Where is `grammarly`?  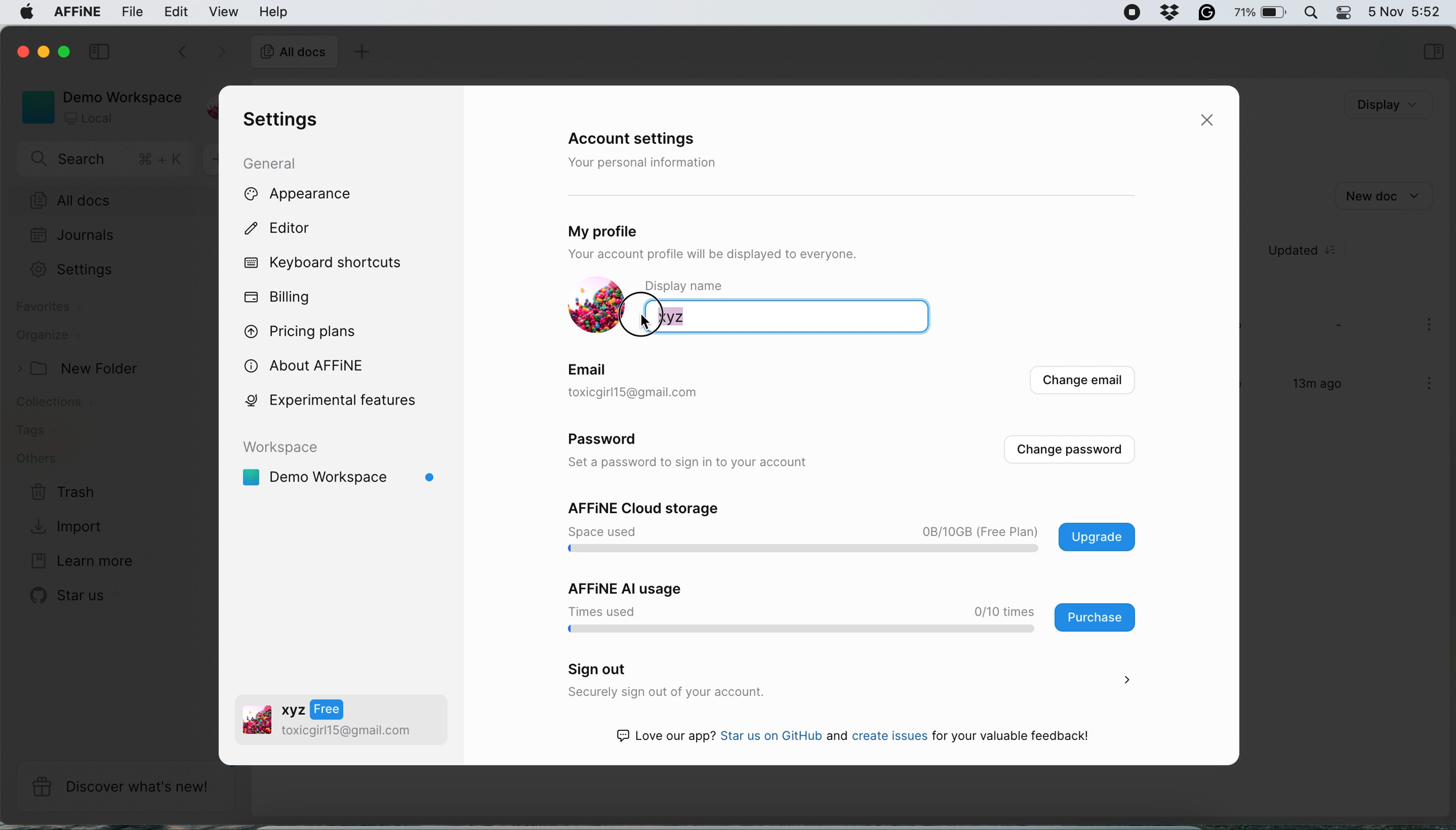
grammarly is located at coordinates (1166, 11).